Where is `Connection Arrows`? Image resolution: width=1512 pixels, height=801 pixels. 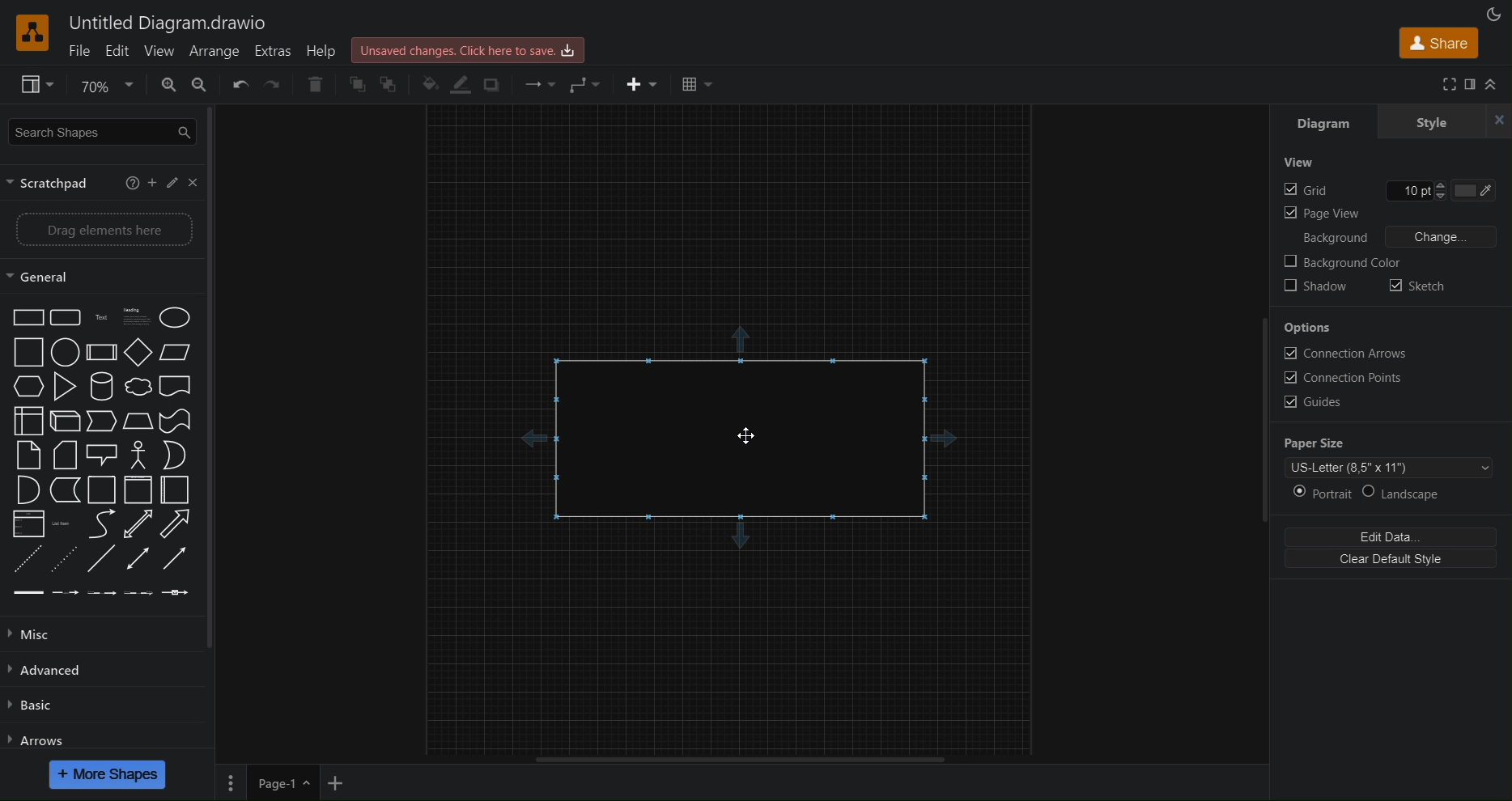 Connection Arrows is located at coordinates (1347, 355).